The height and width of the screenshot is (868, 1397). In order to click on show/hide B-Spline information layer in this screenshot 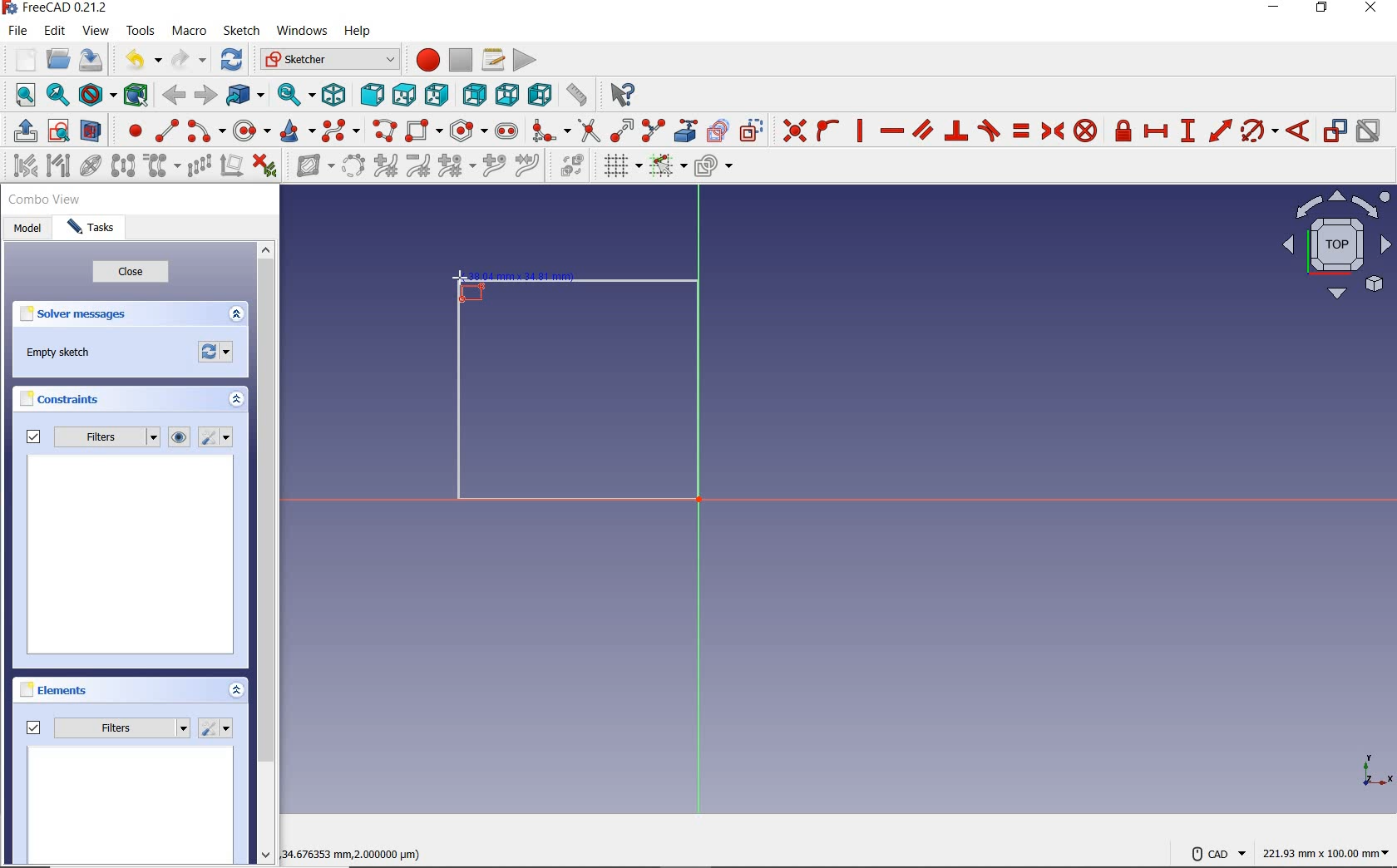, I will do `click(309, 167)`.